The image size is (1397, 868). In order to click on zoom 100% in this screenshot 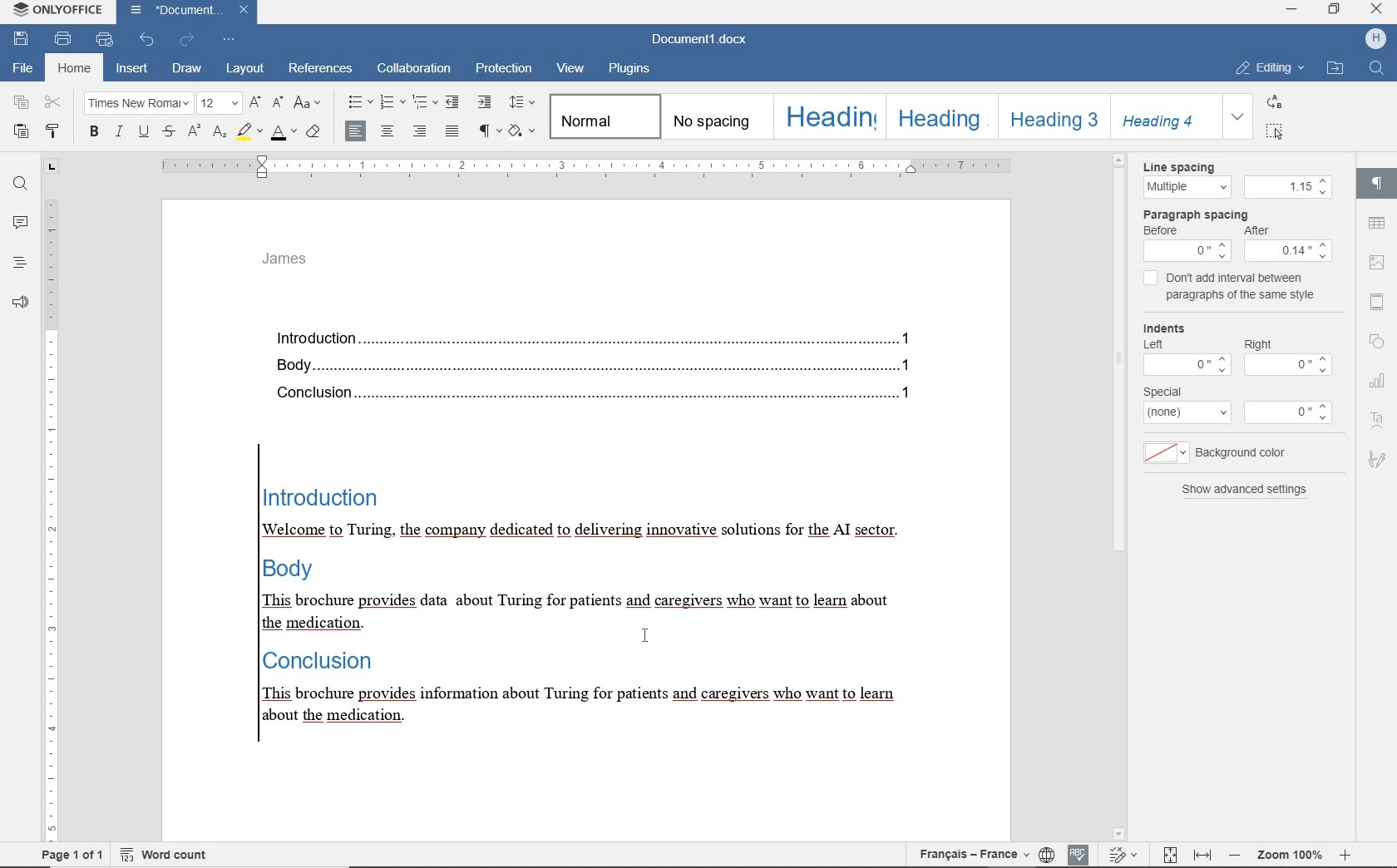, I will do `click(1288, 857)`.